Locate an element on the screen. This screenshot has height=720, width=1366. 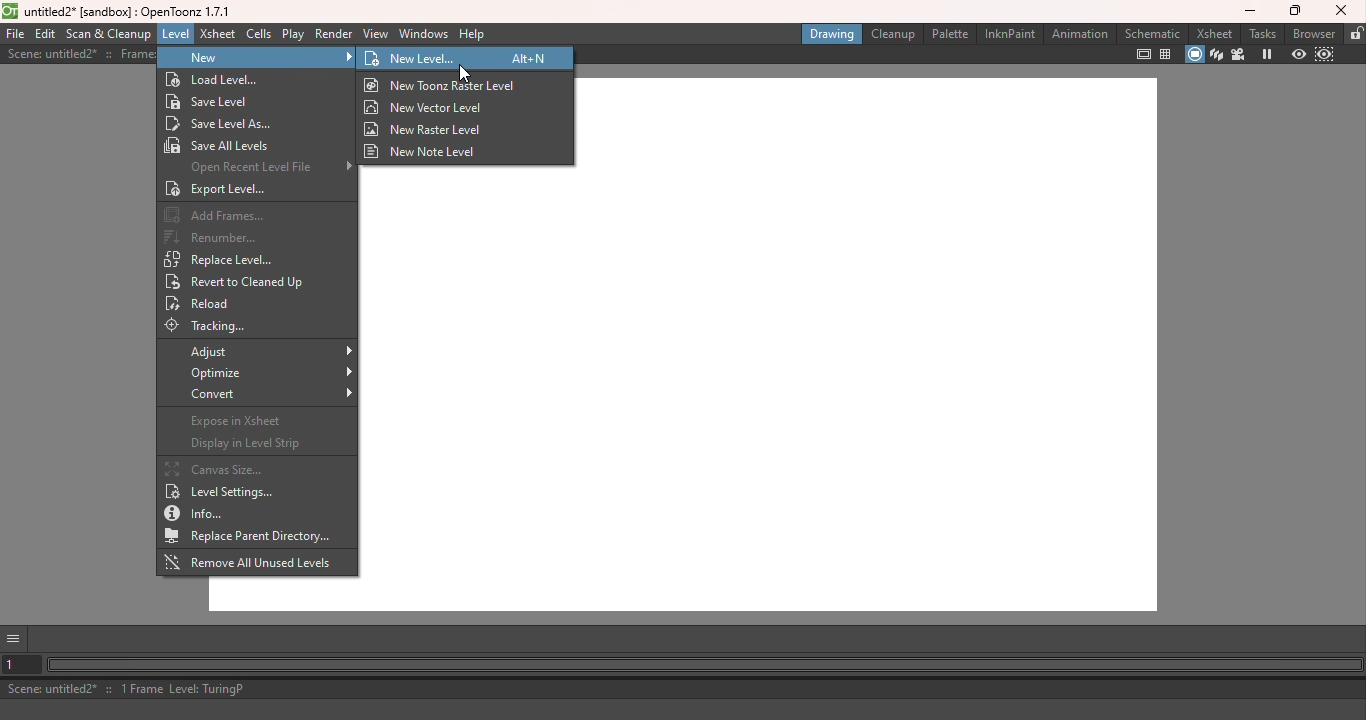
Display in level strip is located at coordinates (246, 444).